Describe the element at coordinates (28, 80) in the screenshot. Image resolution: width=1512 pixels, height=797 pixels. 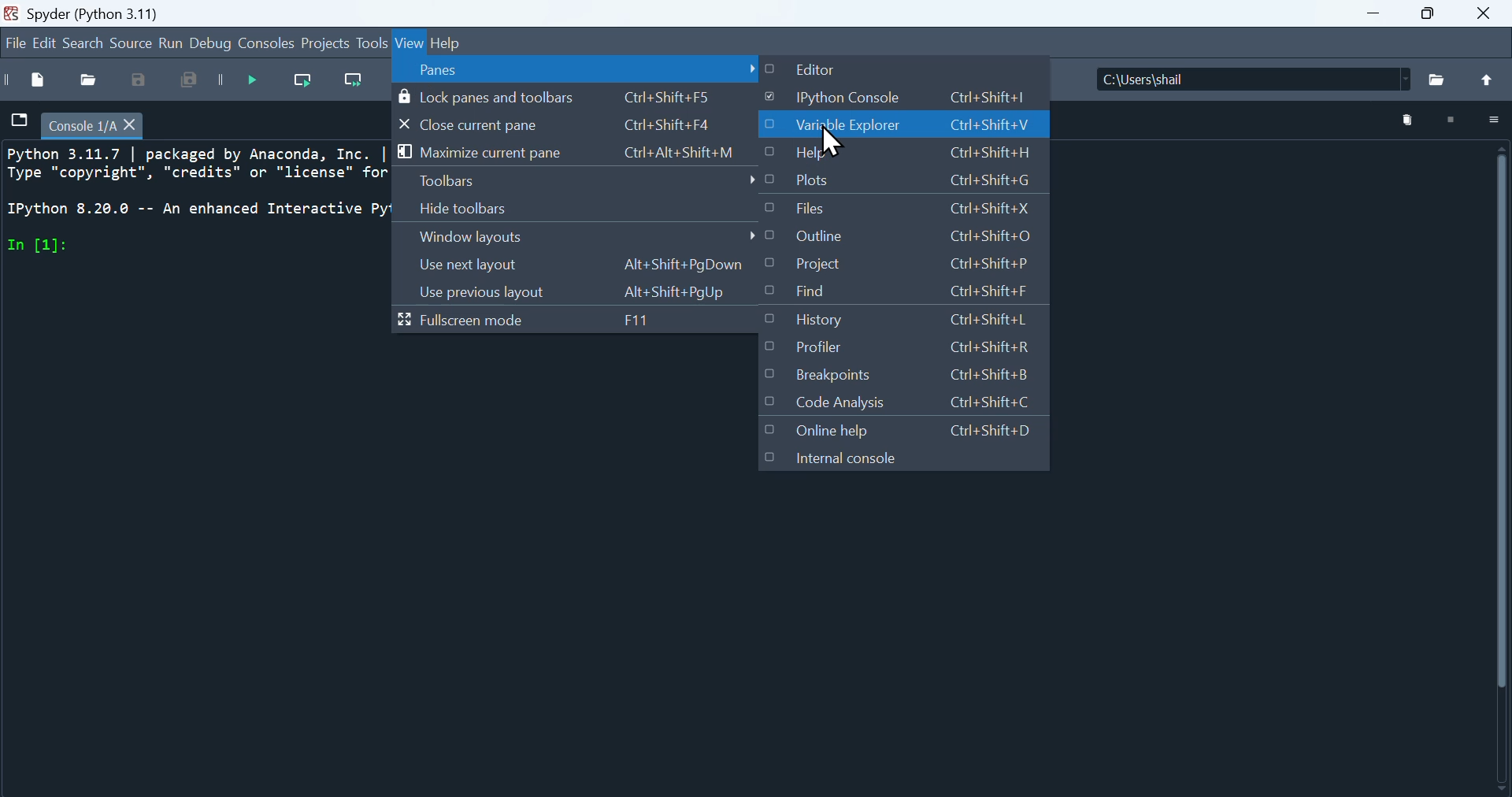
I see `New file` at that location.